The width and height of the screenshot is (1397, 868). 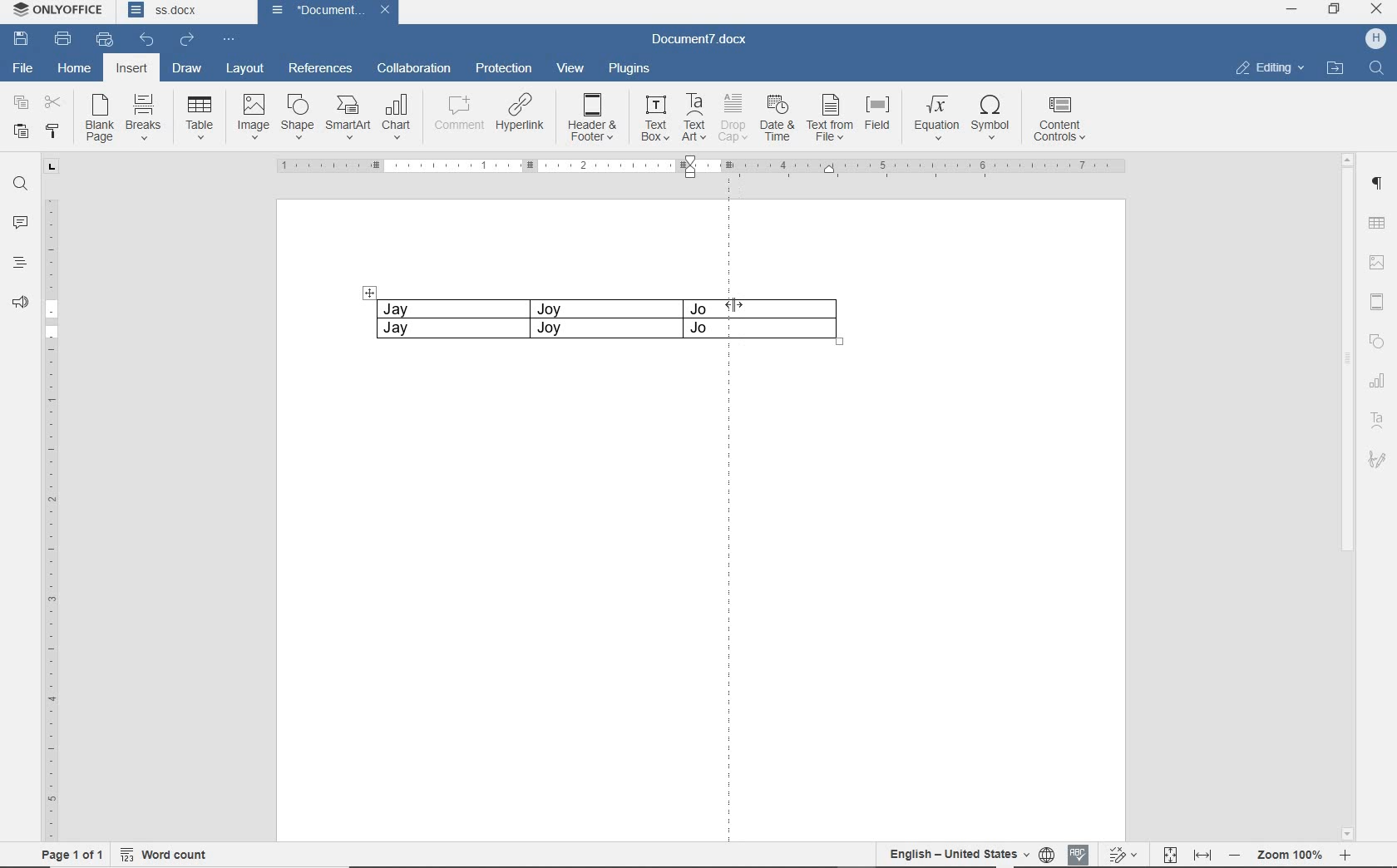 What do you see at coordinates (1378, 382) in the screenshot?
I see `CHART` at bounding box center [1378, 382].